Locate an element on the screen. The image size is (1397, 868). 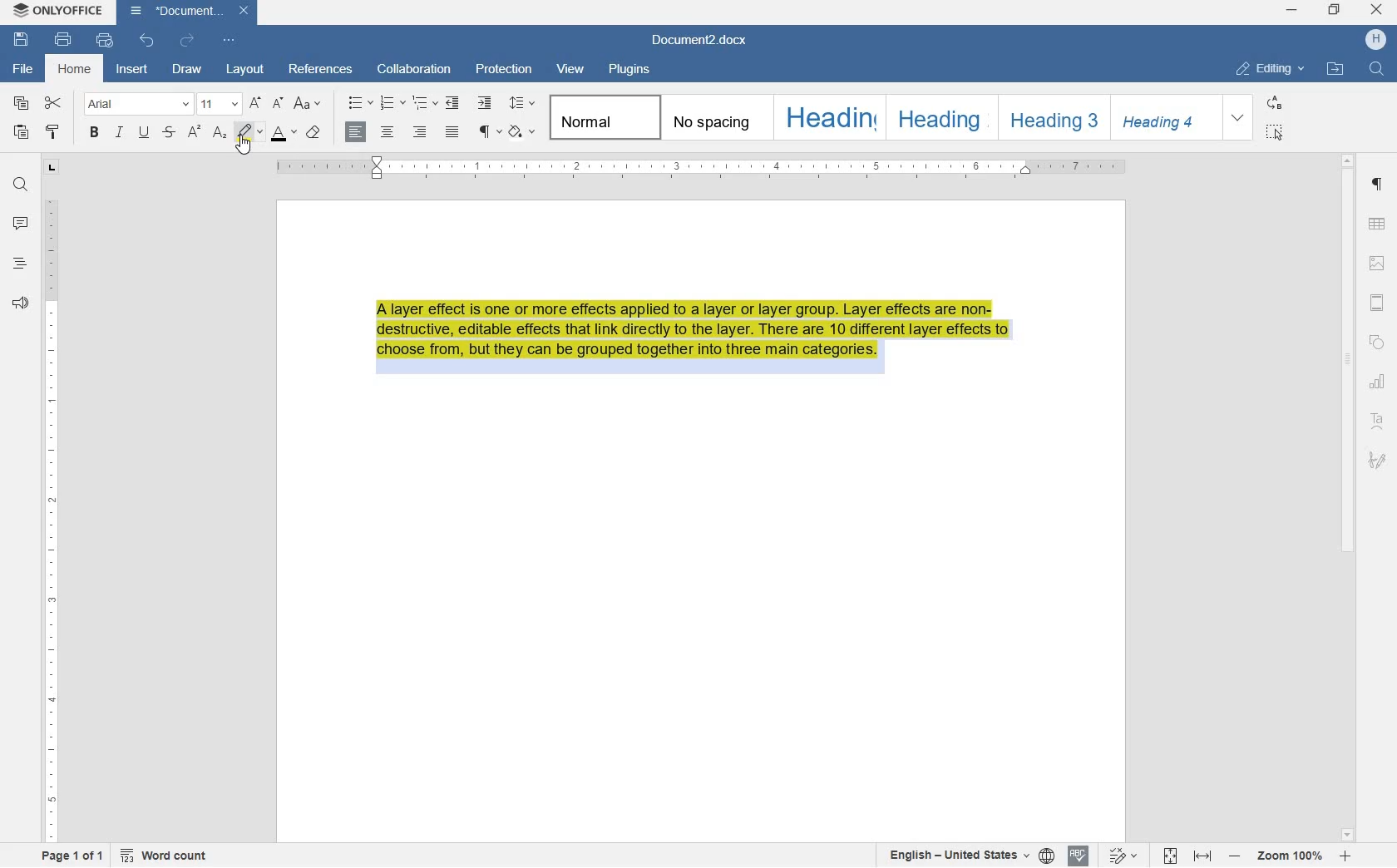
HEADING 4 is located at coordinates (1162, 118).